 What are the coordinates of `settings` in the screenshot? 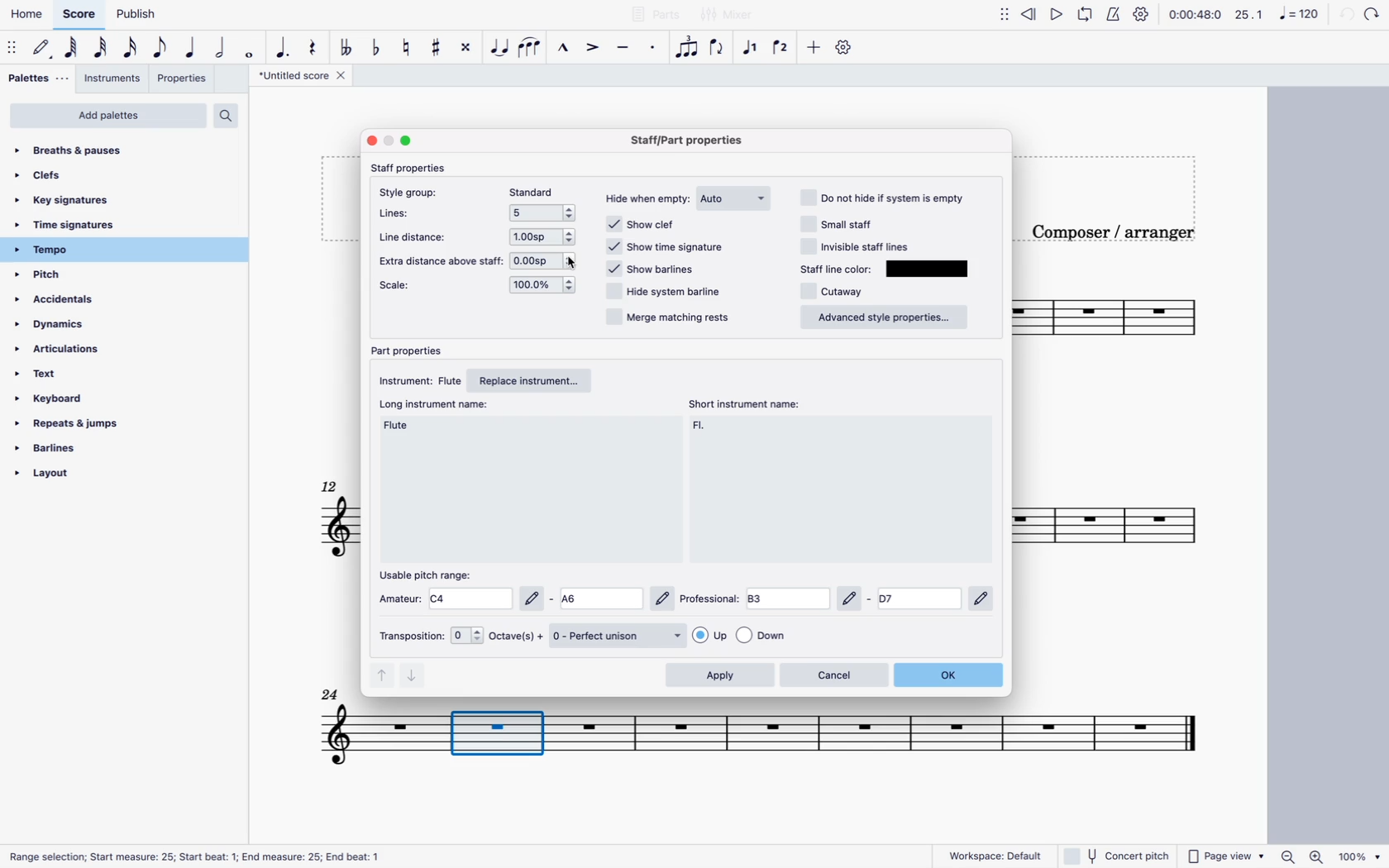 It's located at (1141, 16).